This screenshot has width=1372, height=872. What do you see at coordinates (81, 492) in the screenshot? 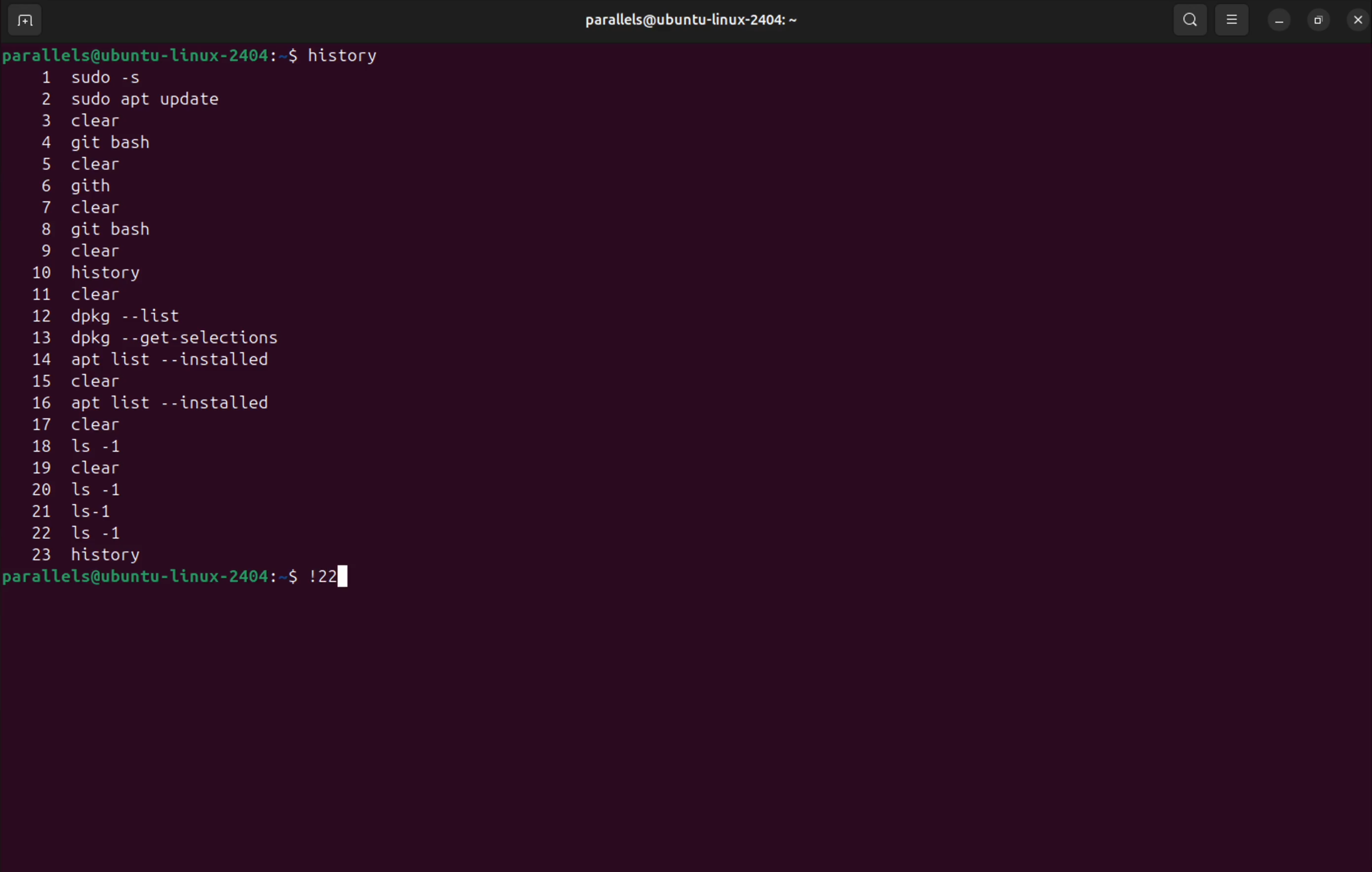
I see `20 ls -1` at bounding box center [81, 492].